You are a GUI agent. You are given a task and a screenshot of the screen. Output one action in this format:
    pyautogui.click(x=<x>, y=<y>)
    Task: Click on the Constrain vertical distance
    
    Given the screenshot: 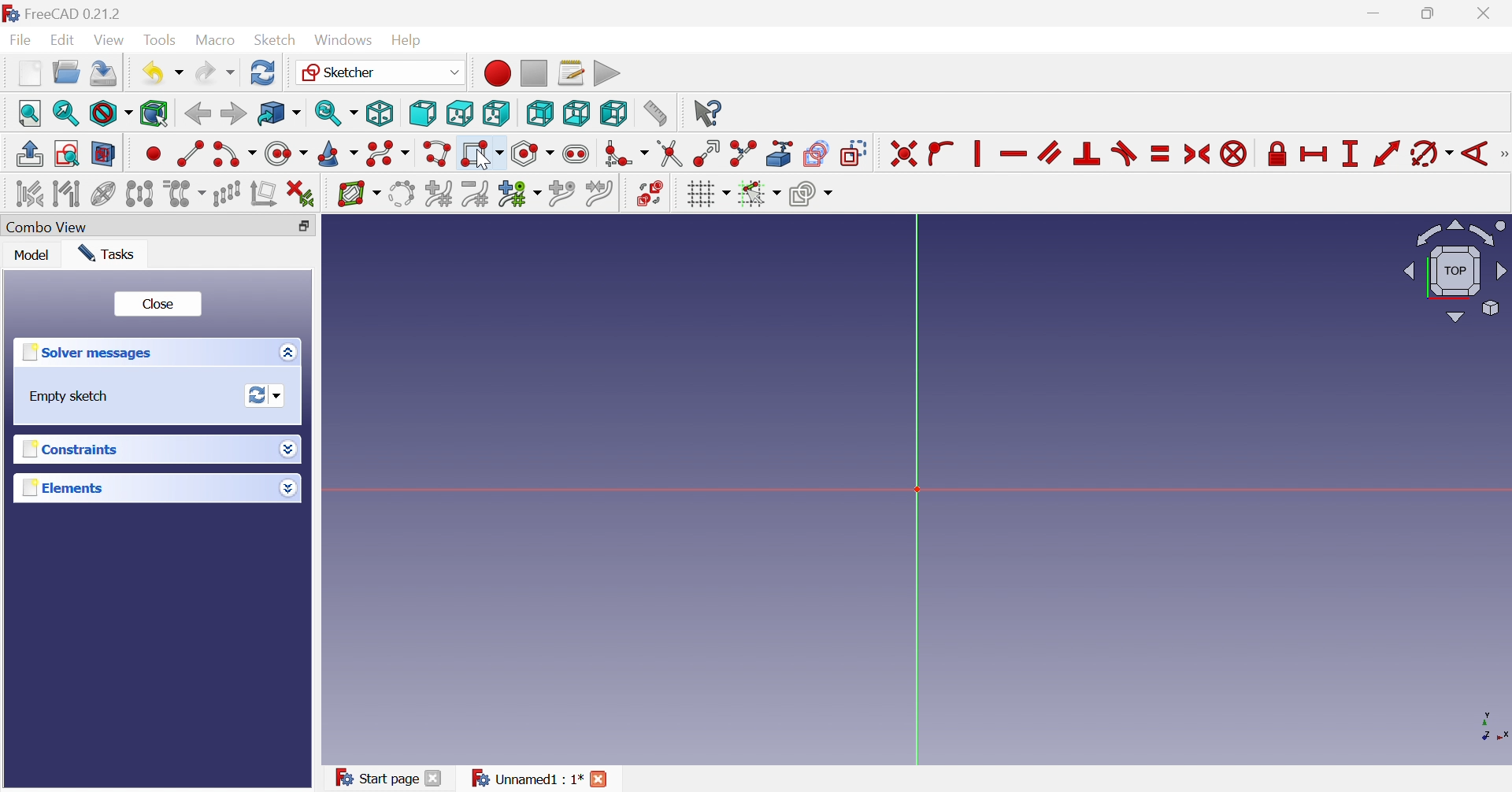 What is the action you would take?
    pyautogui.click(x=1349, y=154)
    